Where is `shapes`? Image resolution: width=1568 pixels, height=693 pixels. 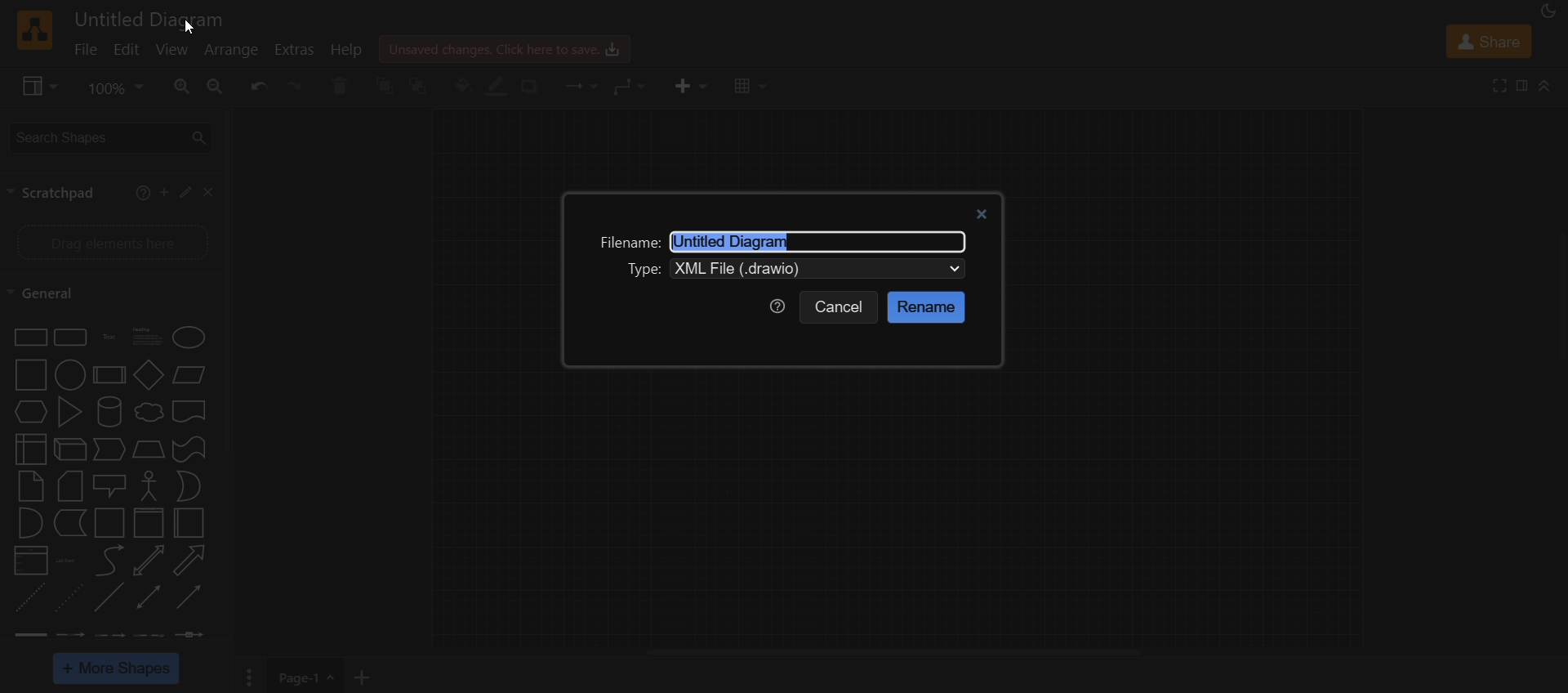
shapes is located at coordinates (113, 485).